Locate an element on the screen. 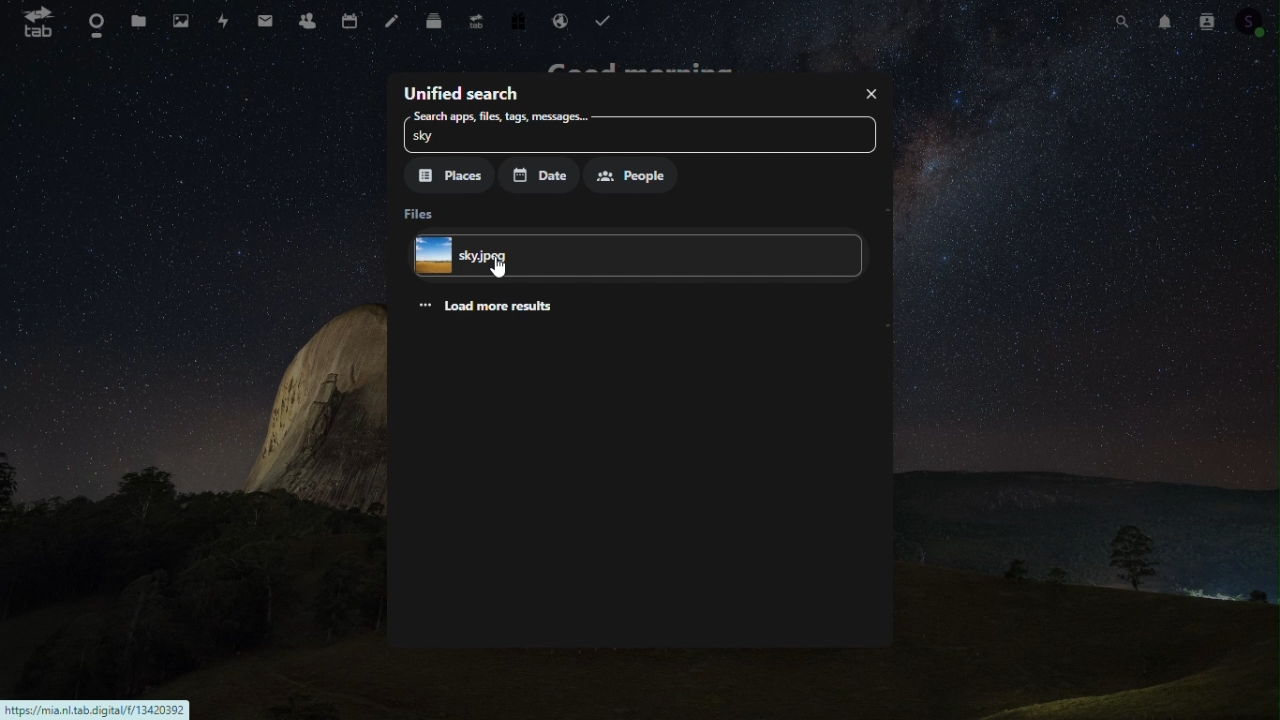 This screenshot has width=1280, height=720. Load more results is located at coordinates (498, 305).